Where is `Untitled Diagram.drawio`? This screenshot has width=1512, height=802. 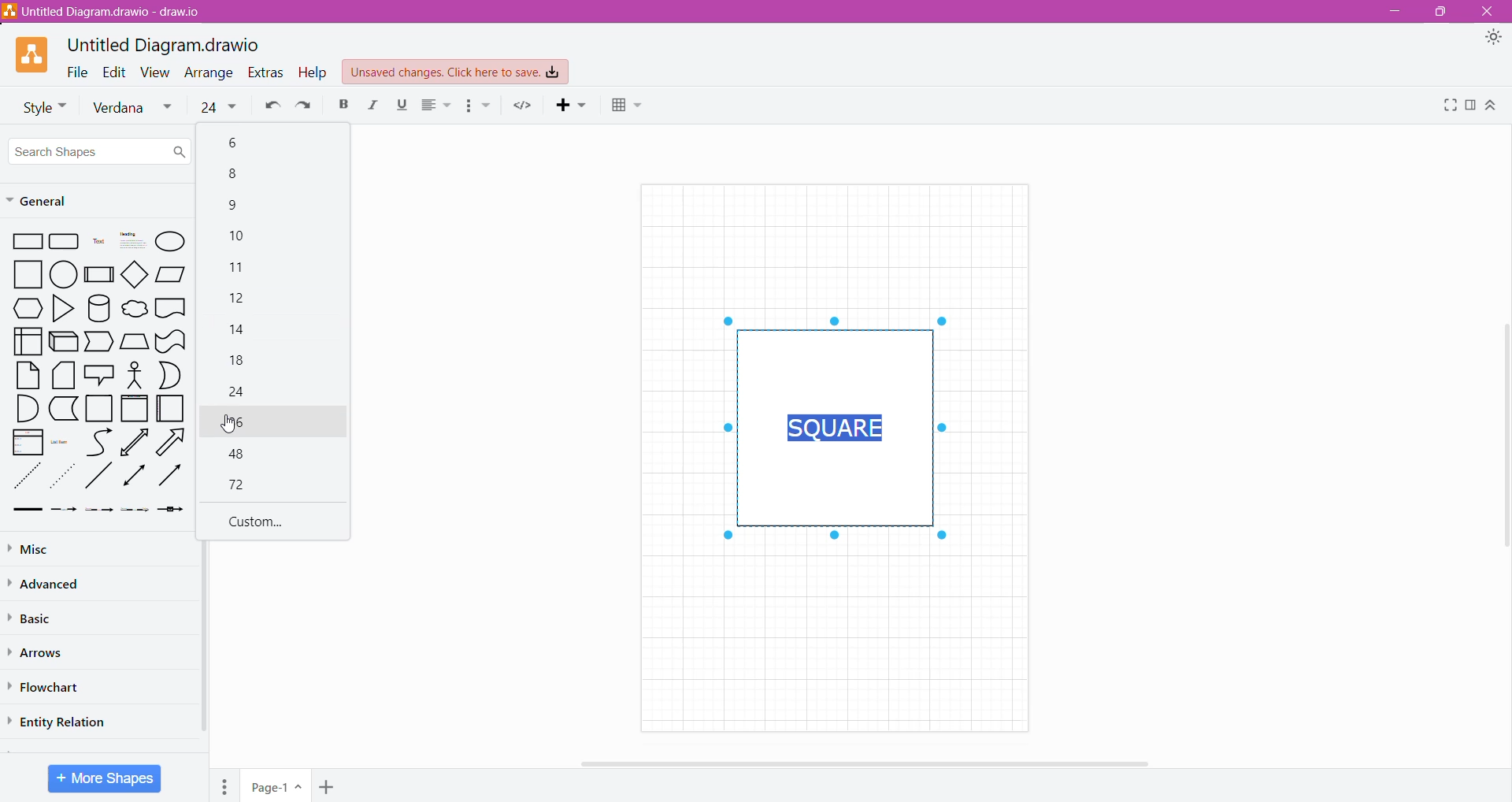
Untitled Diagram.drawio is located at coordinates (164, 45).